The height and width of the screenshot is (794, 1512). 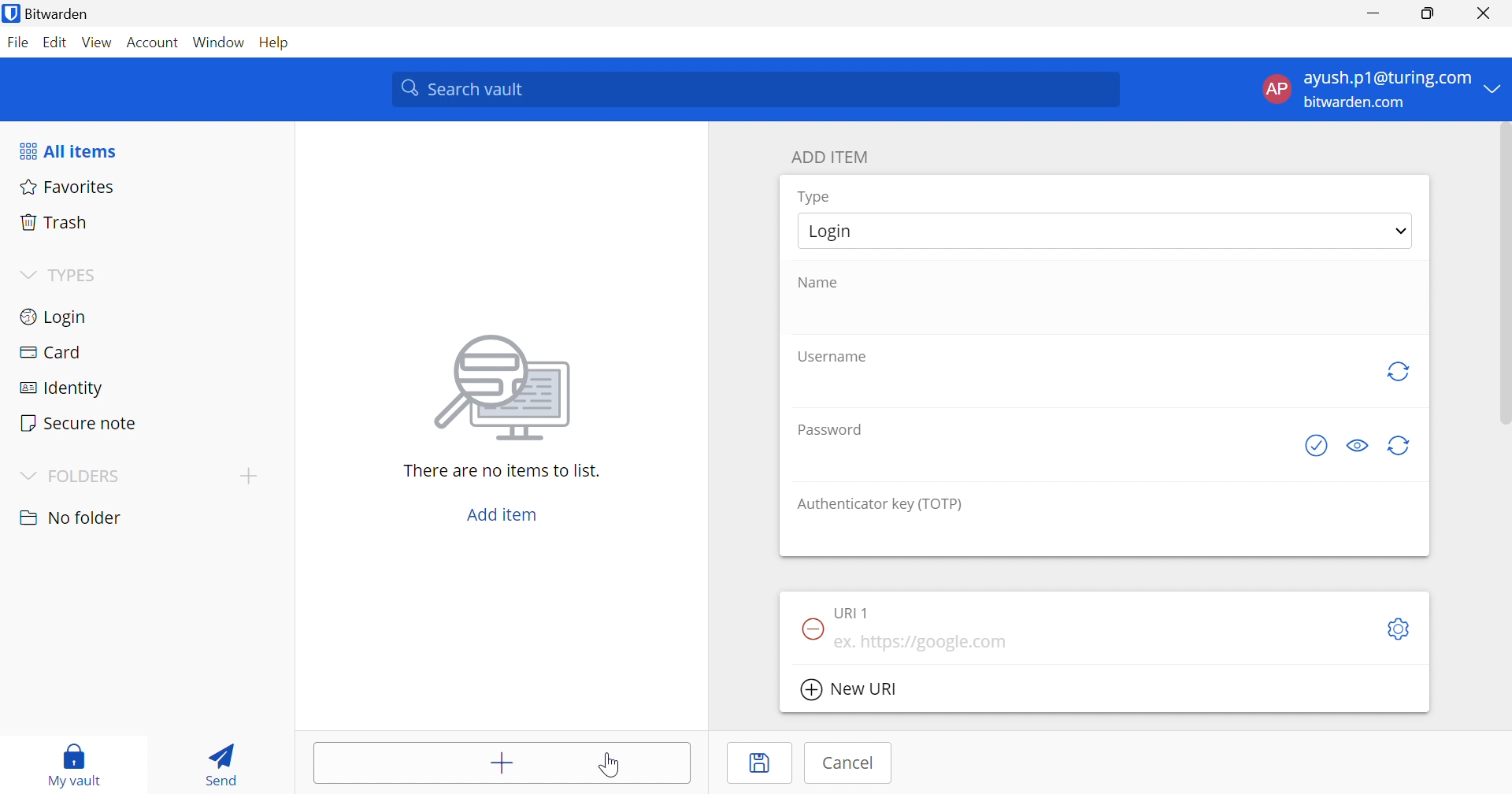 What do you see at coordinates (502, 473) in the screenshot?
I see `There are no items to list.` at bounding box center [502, 473].